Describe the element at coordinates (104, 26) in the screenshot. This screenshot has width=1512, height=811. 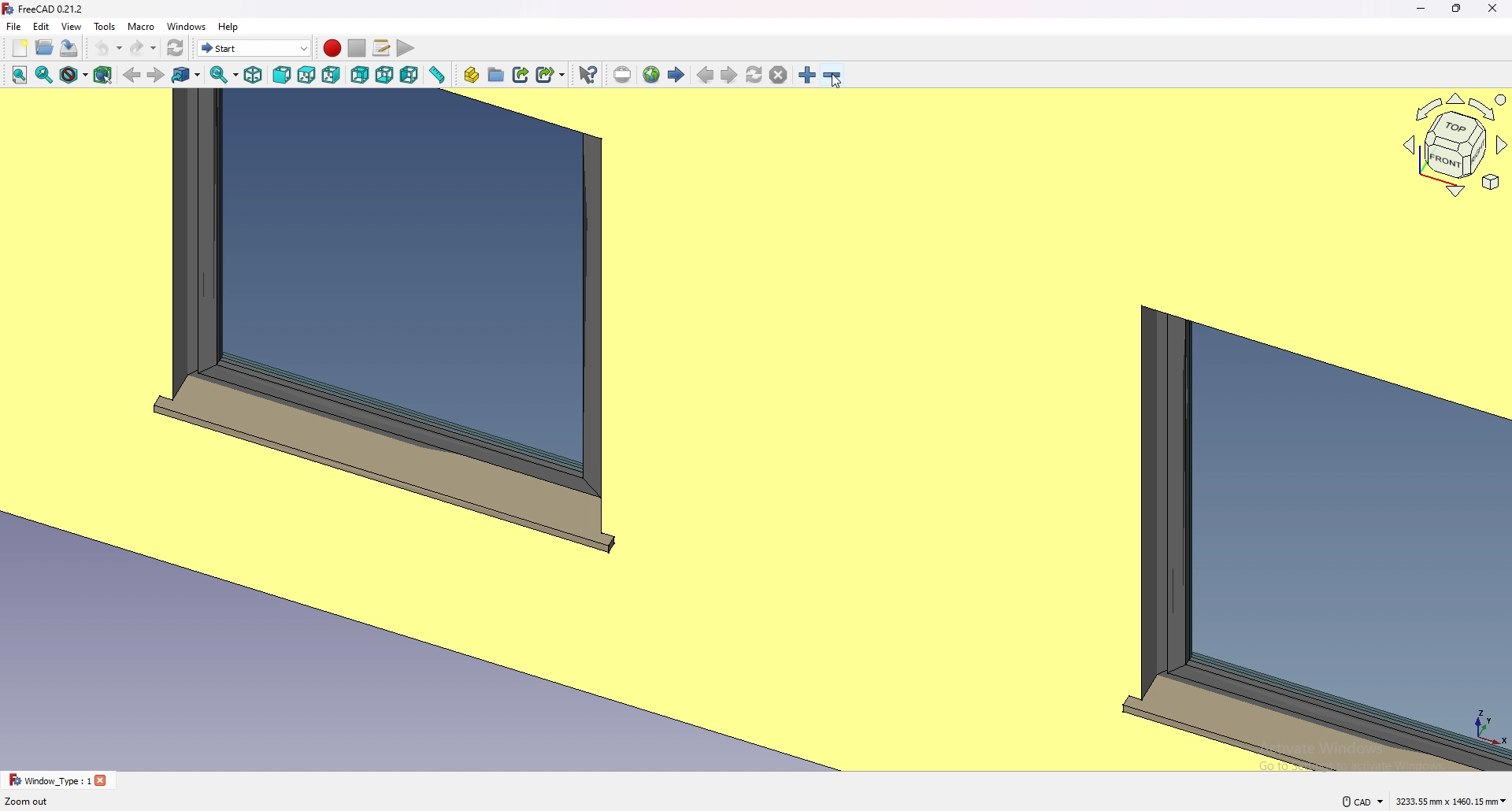
I see `tools` at that location.